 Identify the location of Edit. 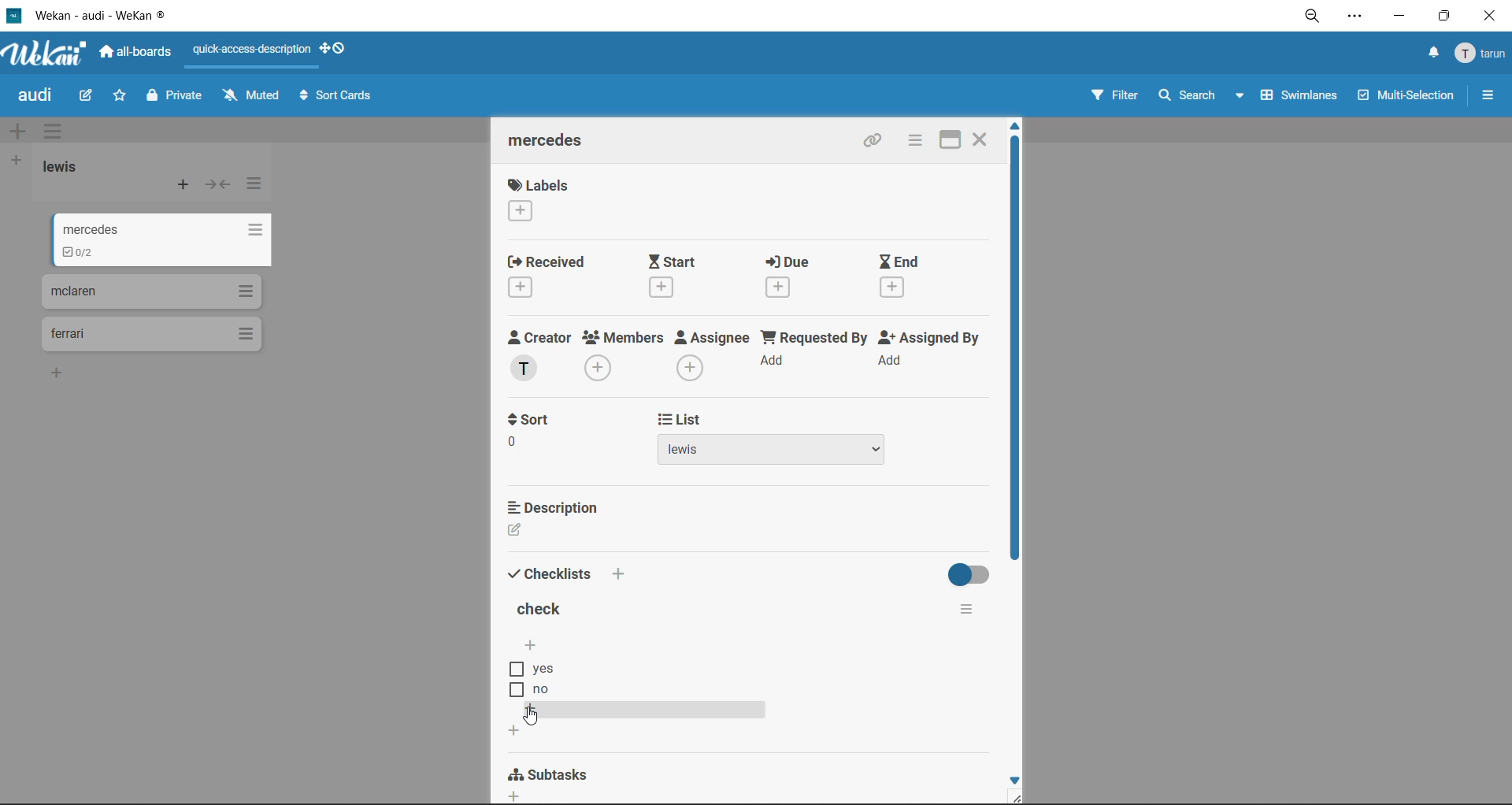
(514, 530).